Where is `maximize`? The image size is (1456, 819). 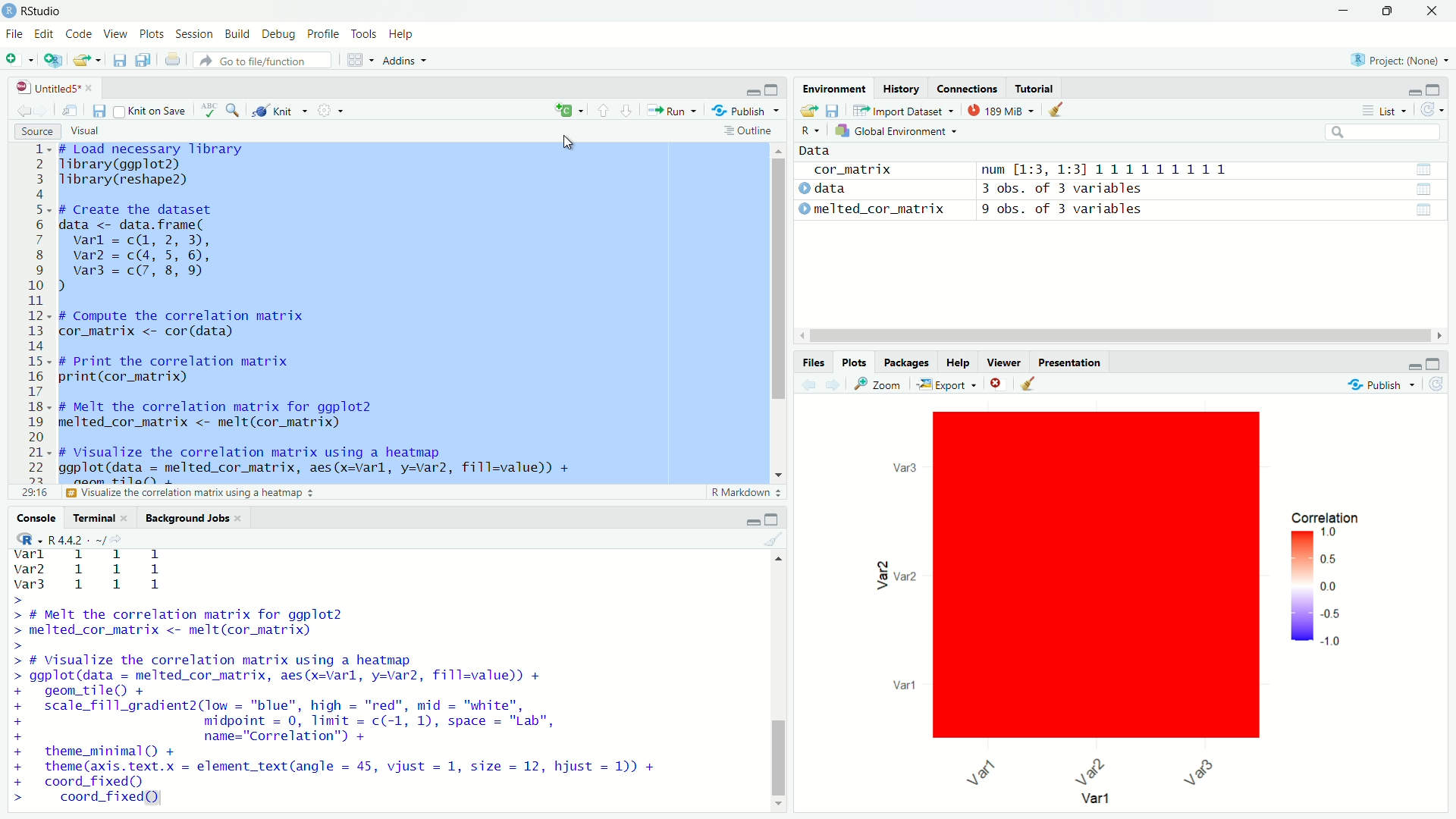 maximize is located at coordinates (1435, 90).